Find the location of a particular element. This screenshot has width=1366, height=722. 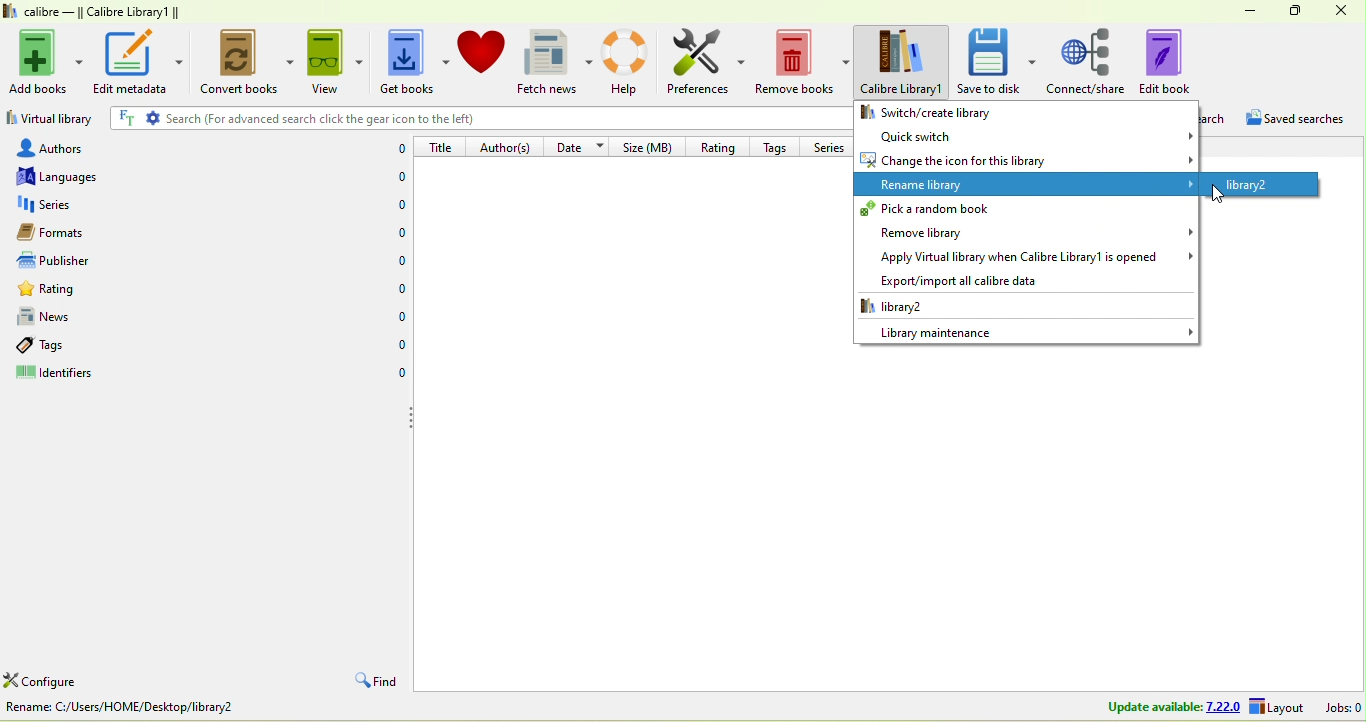

help is located at coordinates (630, 61).